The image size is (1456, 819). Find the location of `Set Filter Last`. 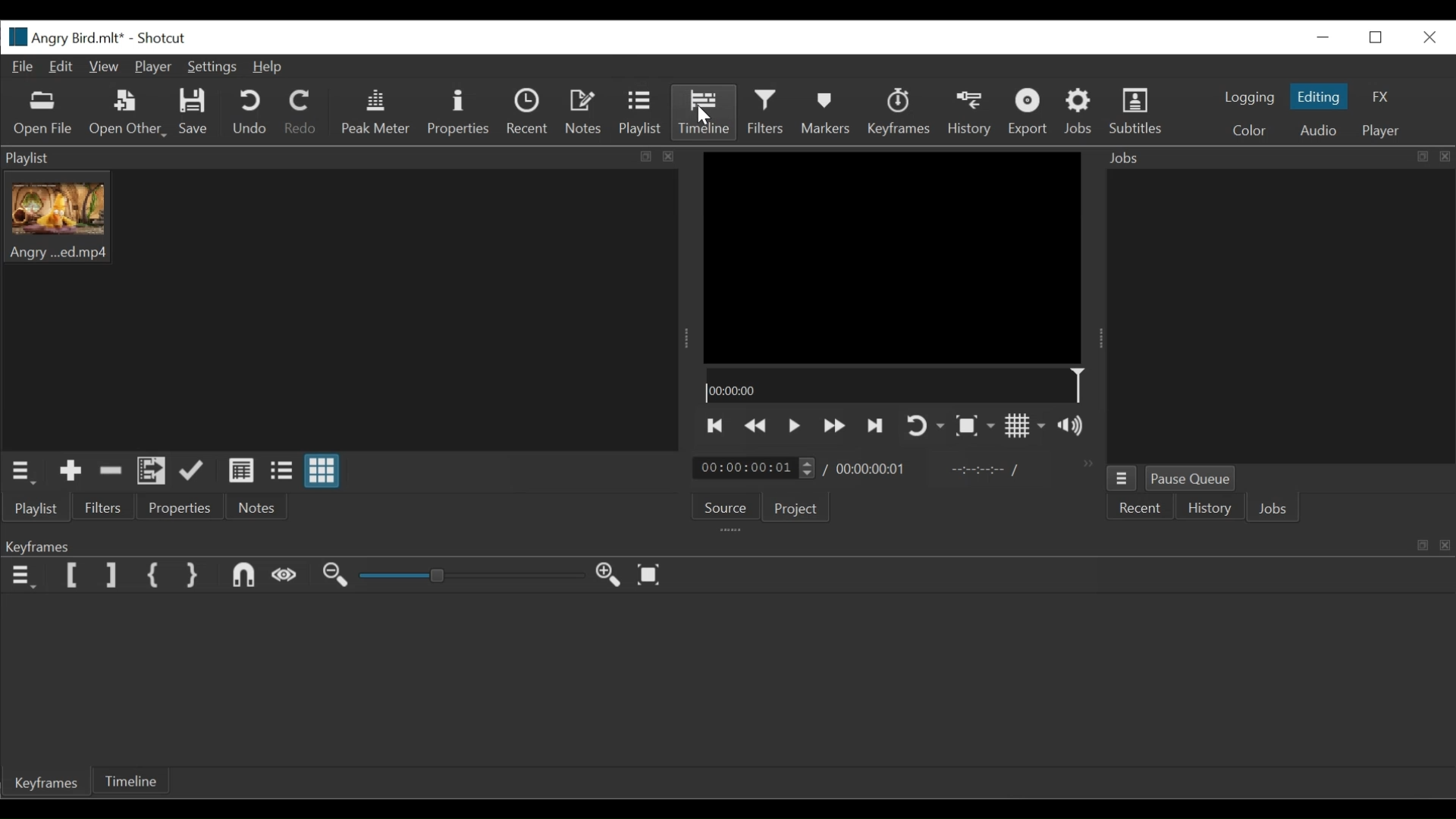

Set Filter Last is located at coordinates (111, 574).